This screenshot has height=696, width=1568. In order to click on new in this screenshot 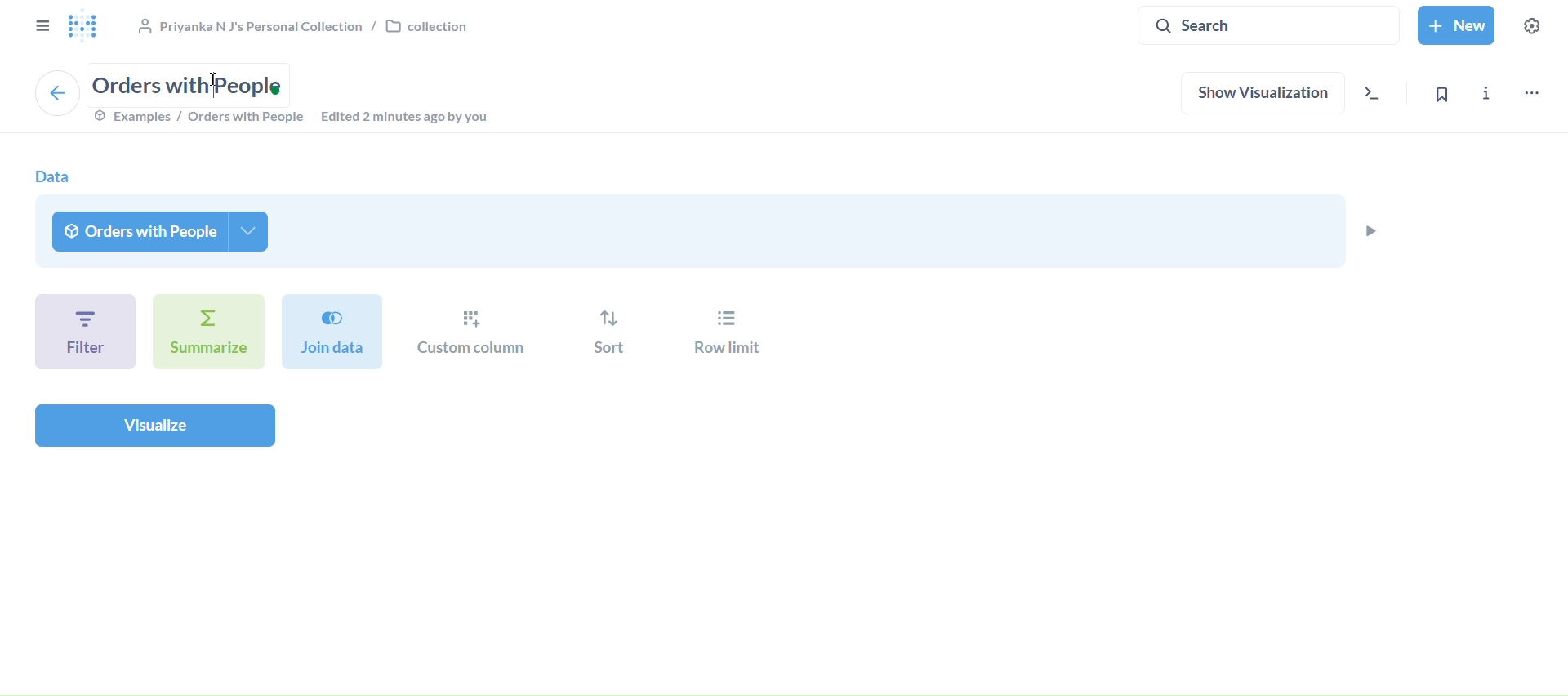, I will do `click(1458, 26)`.